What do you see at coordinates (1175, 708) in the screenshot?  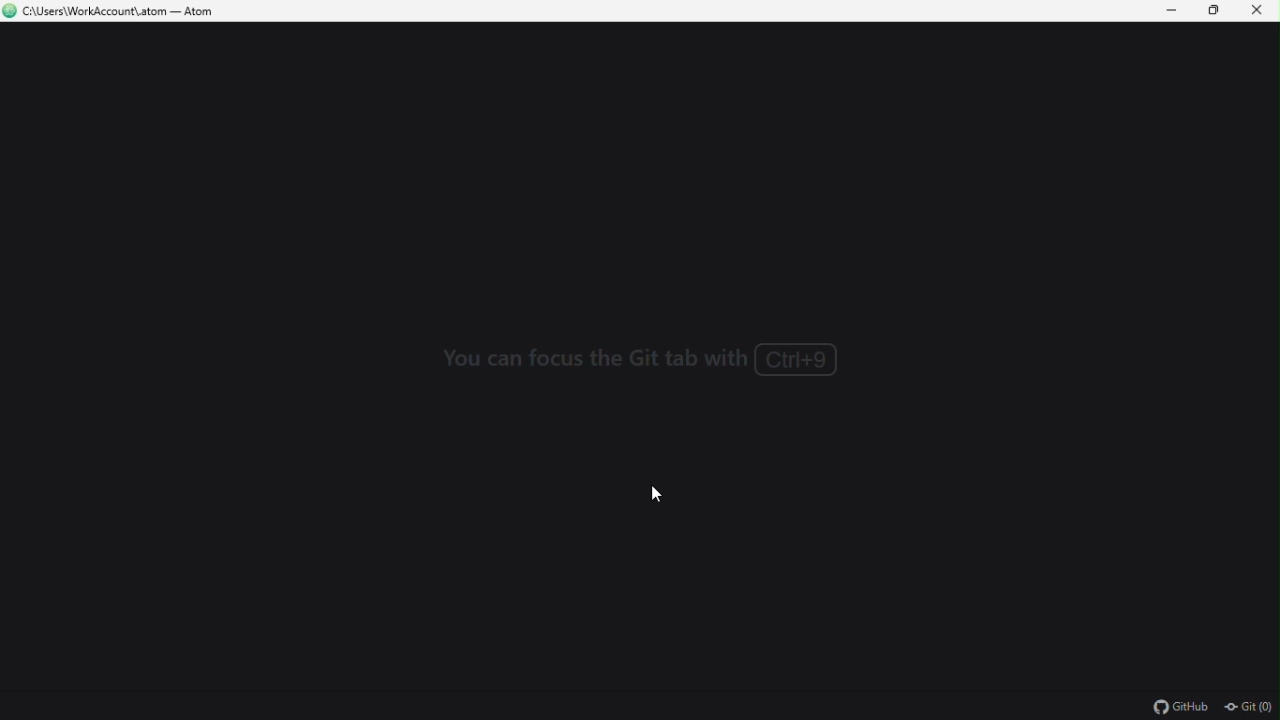 I see `github` at bounding box center [1175, 708].